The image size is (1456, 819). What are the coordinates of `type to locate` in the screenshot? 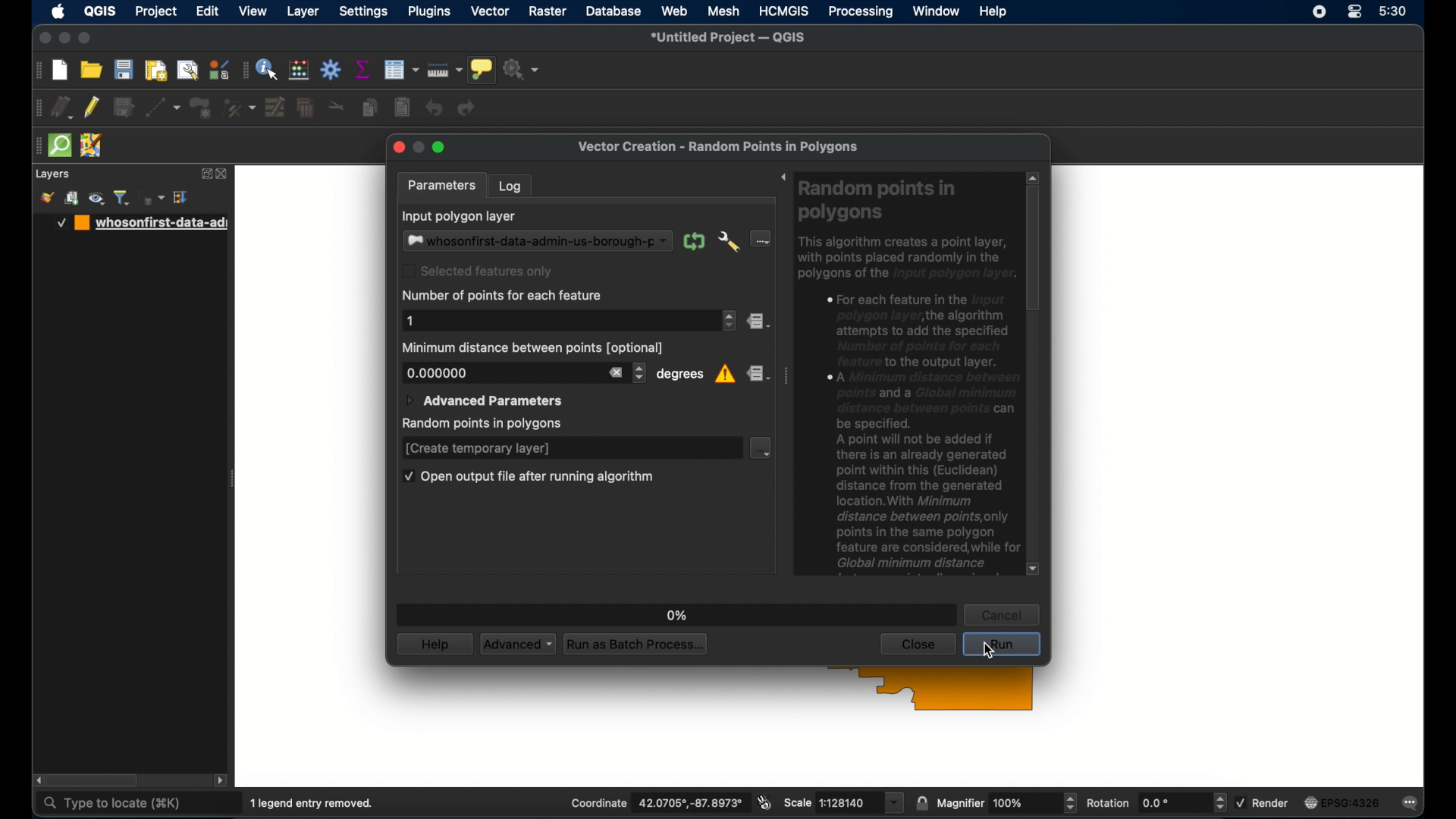 It's located at (115, 805).